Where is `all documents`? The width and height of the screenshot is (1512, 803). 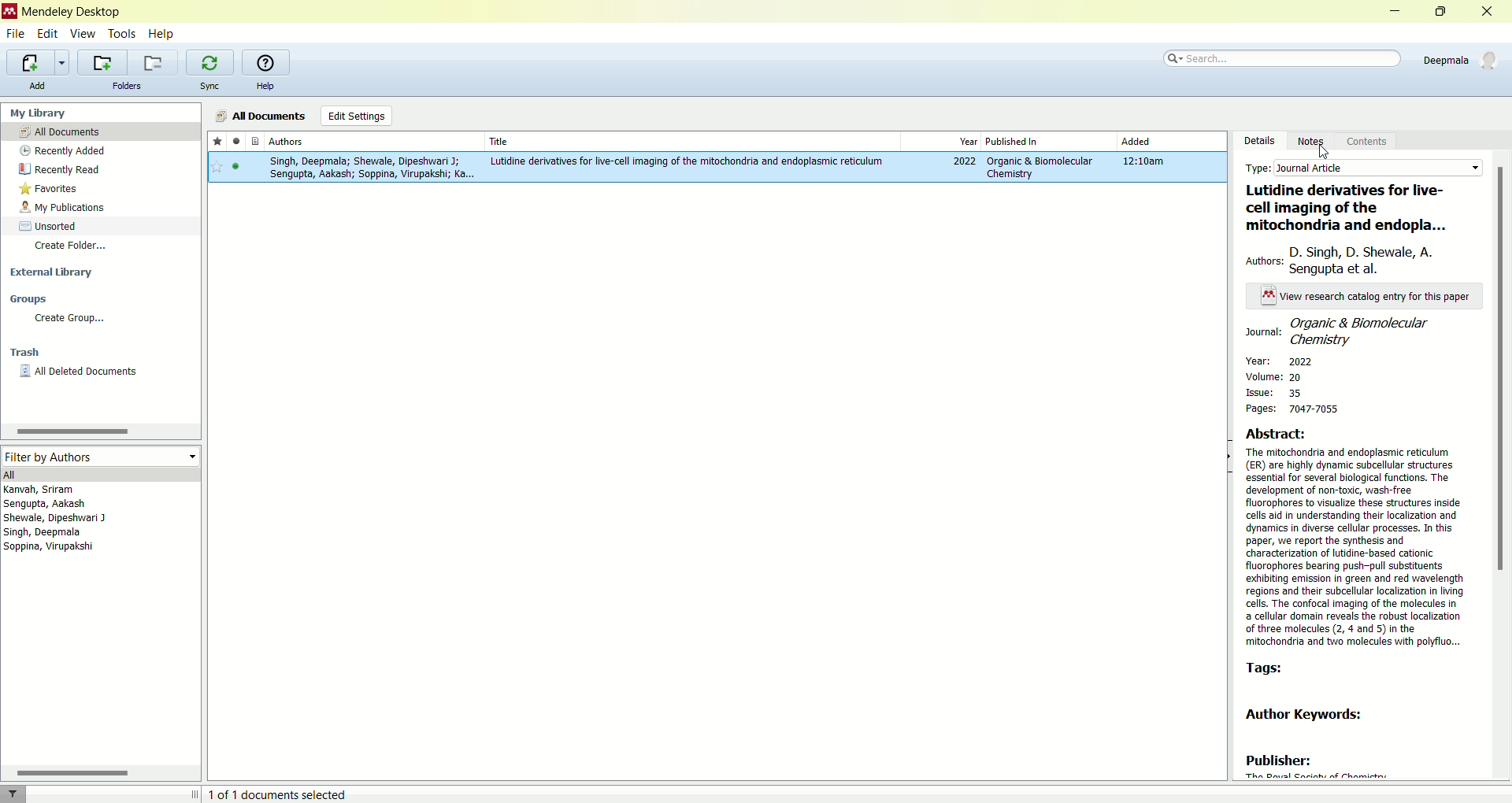 all documents is located at coordinates (100, 131).